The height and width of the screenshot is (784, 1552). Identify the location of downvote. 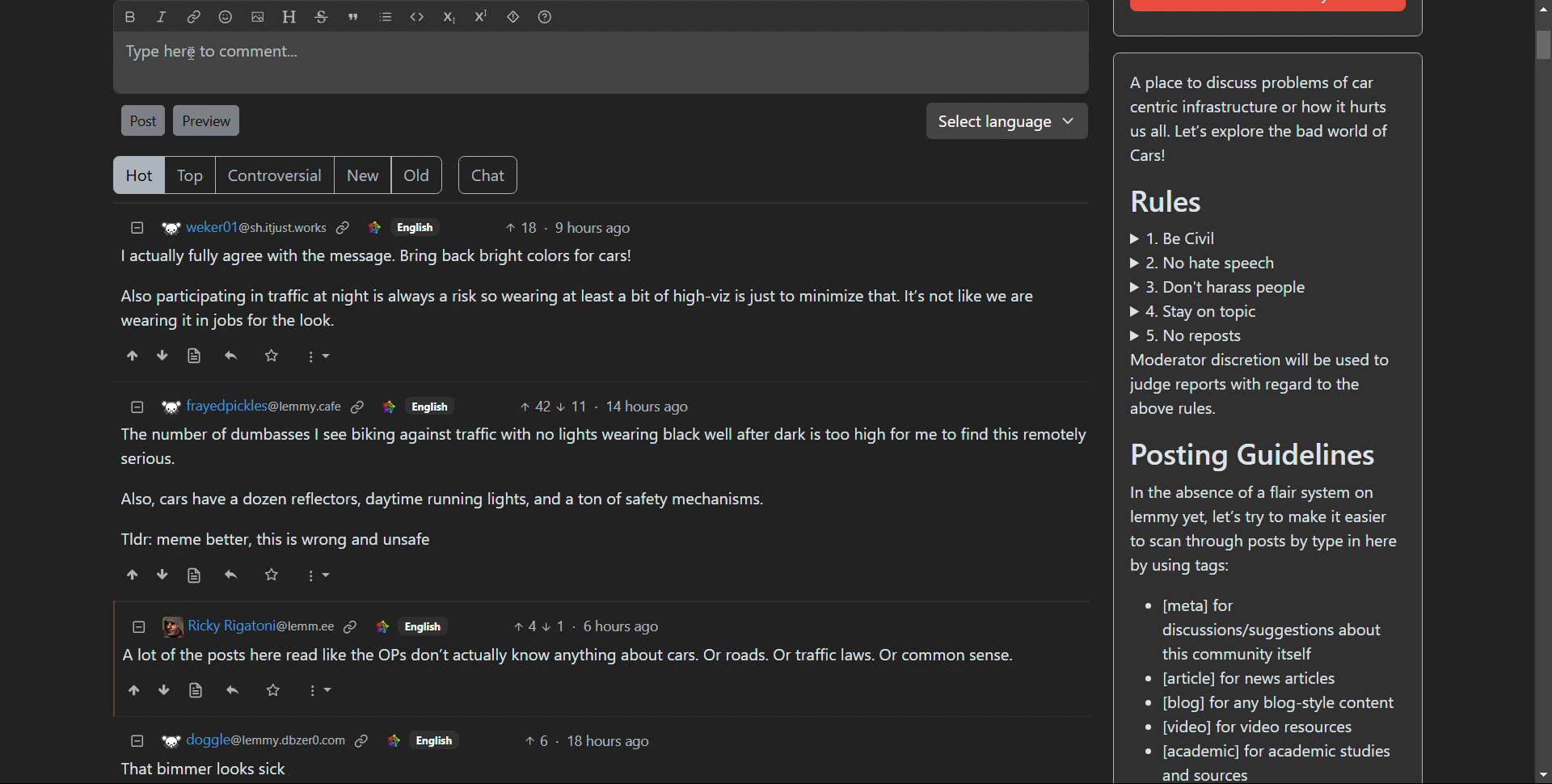
(163, 574).